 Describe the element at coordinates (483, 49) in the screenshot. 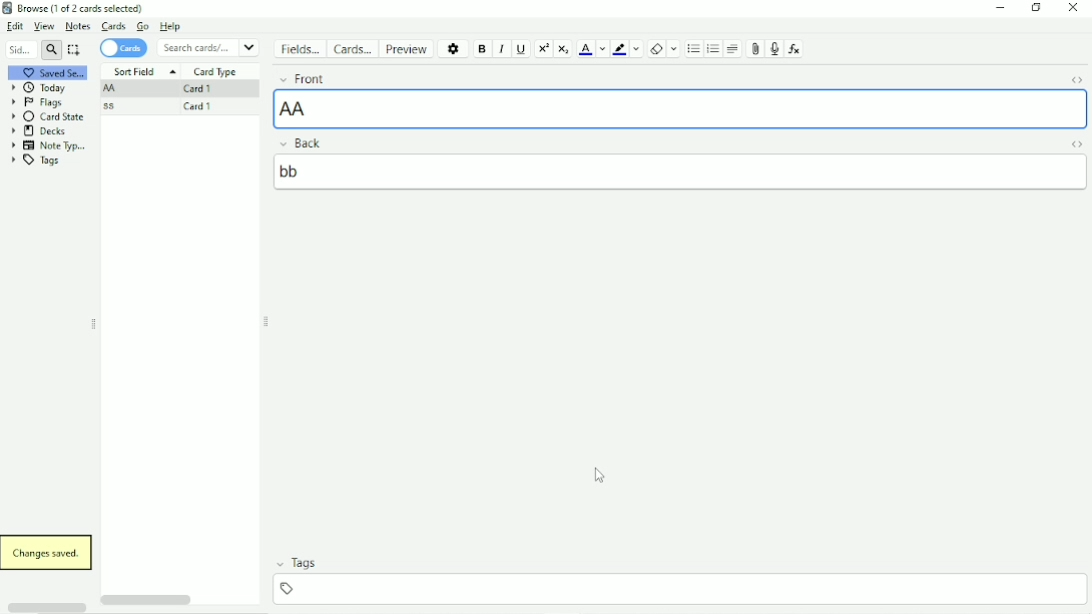

I see `Bold` at that location.